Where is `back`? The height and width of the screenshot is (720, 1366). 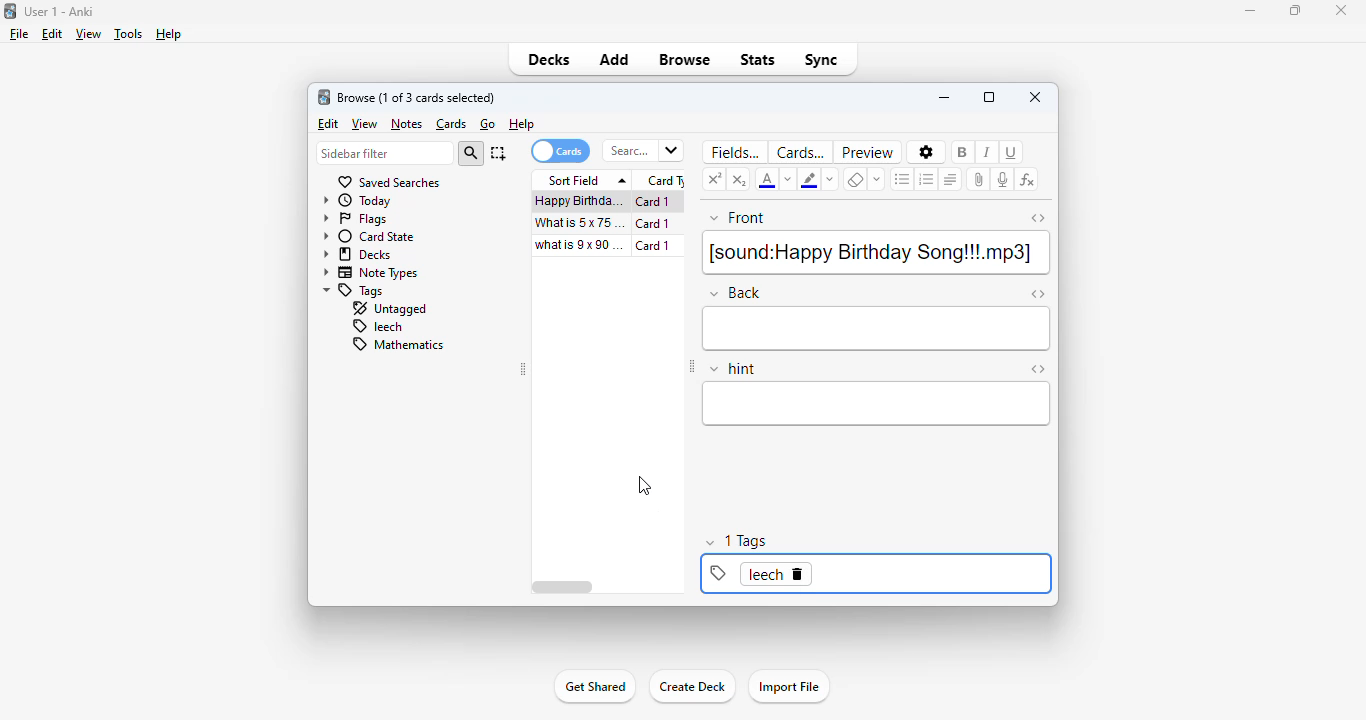 back is located at coordinates (878, 329).